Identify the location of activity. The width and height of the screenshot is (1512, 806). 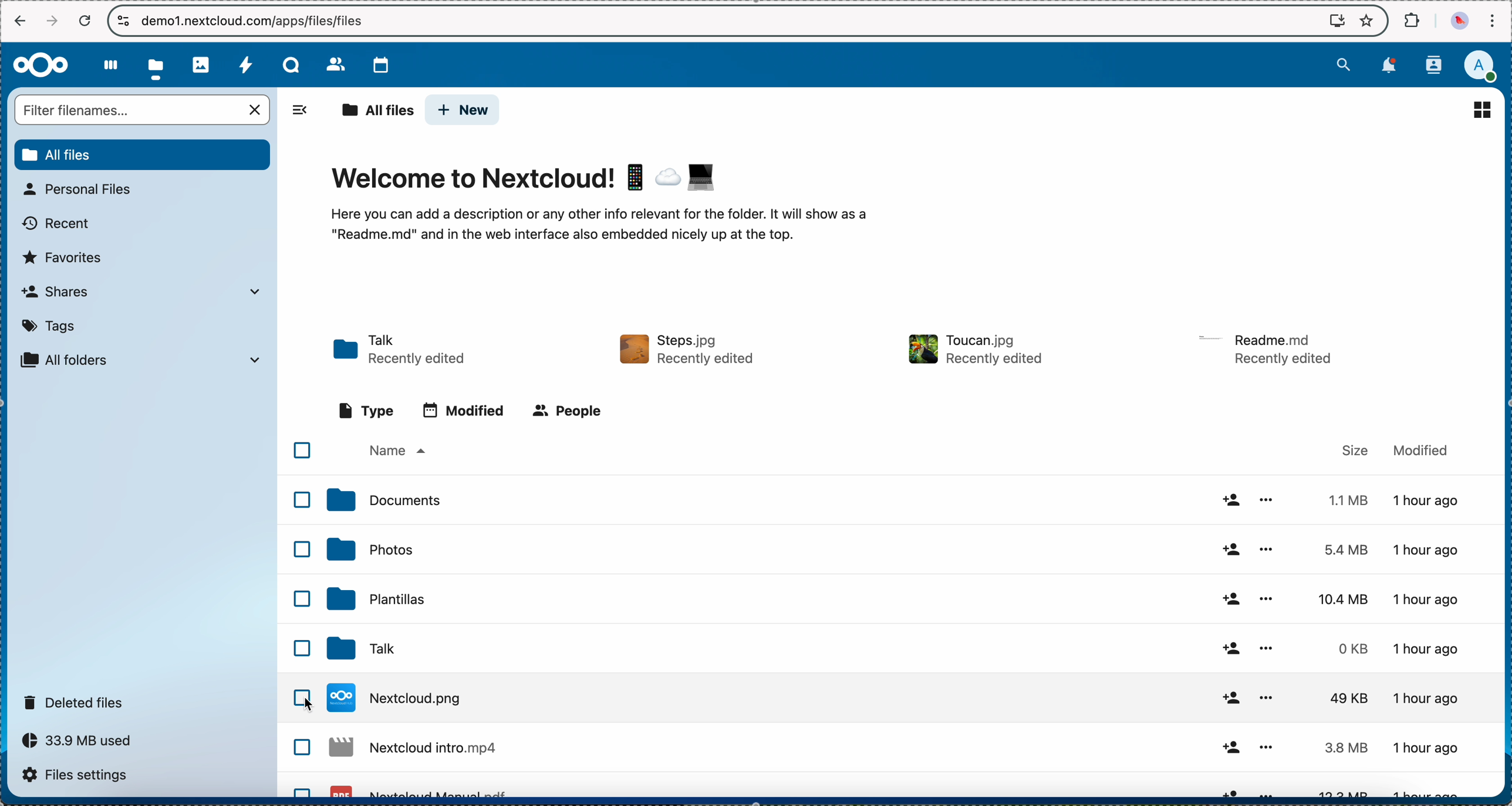
(245, 62).